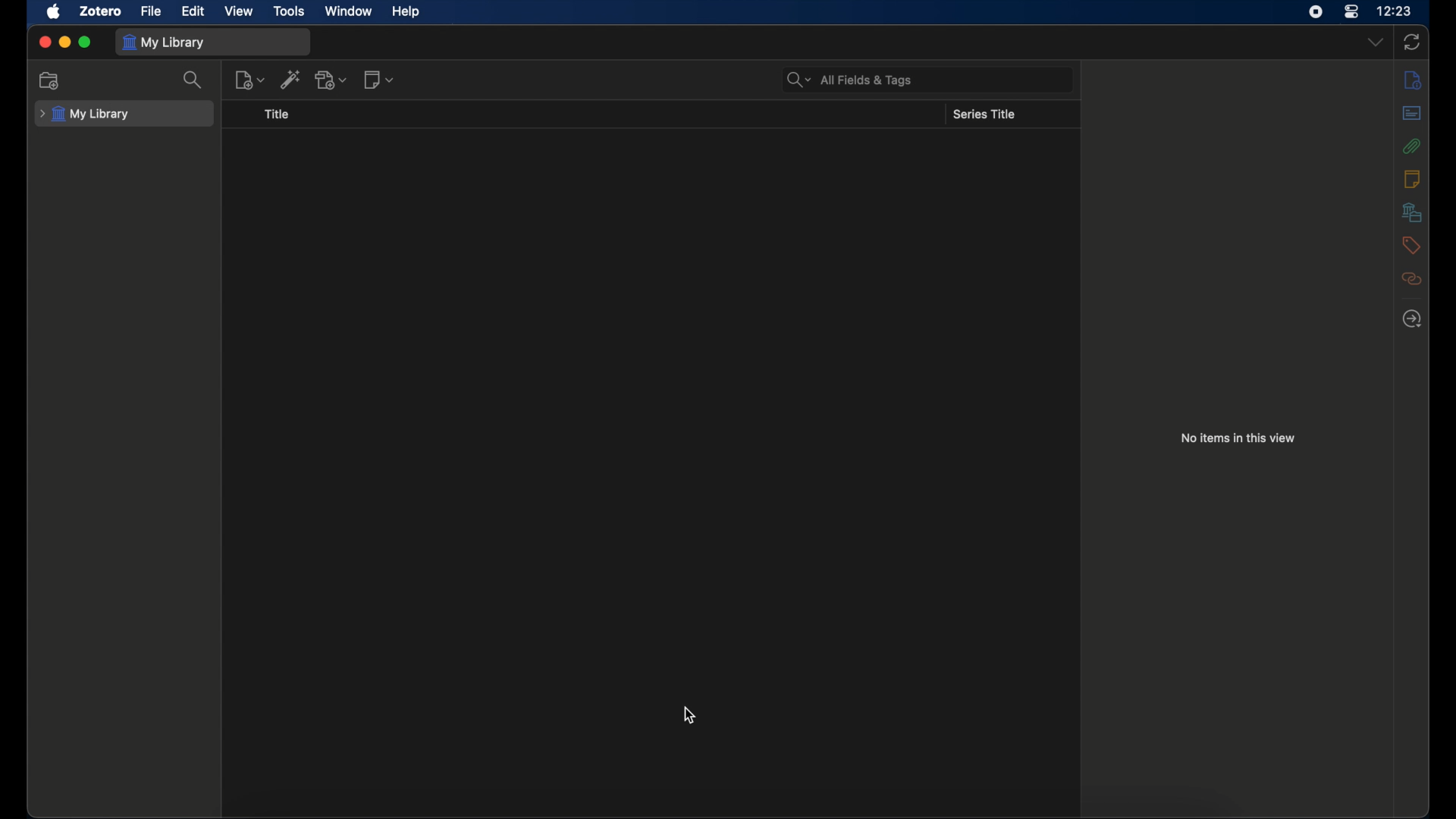  Describe the element at coordinates (102, 12) in the screenshot. I see `zotero` at that location.